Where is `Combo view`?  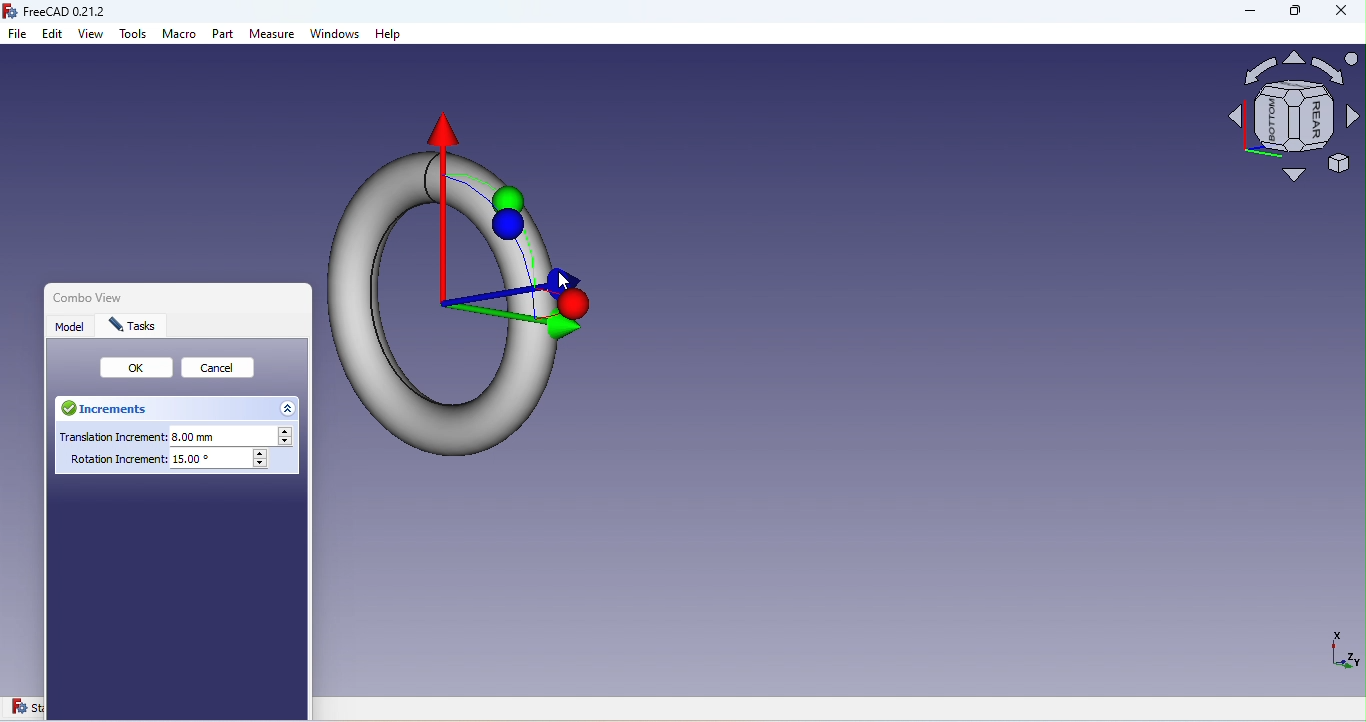
Combo view is located at coordinates (83, 296).